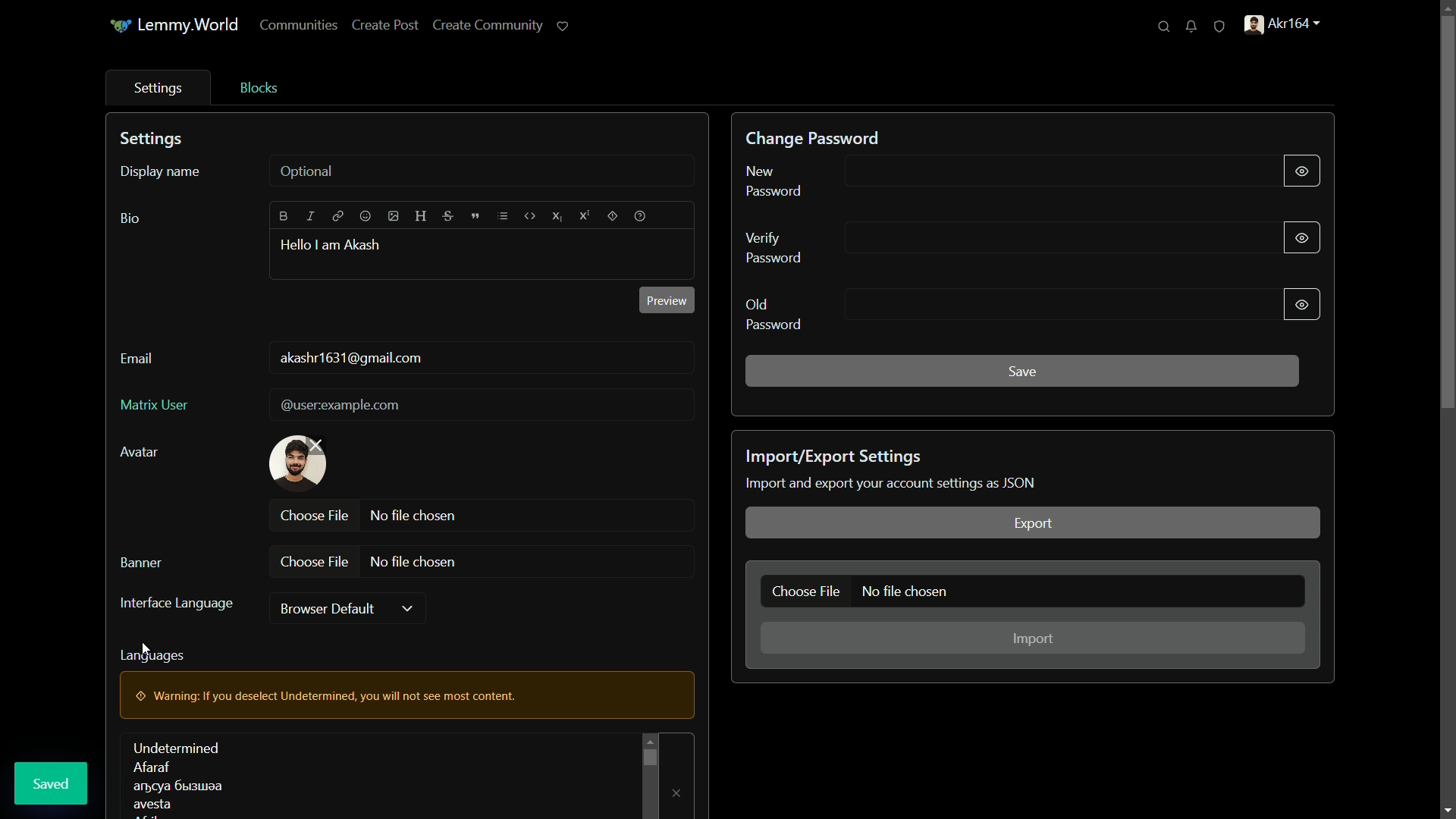 The height and width of the screenshot is (819, 1456). Describe the element at coordinates (366, 215) in the screenshot. I see `emoji` at that location.